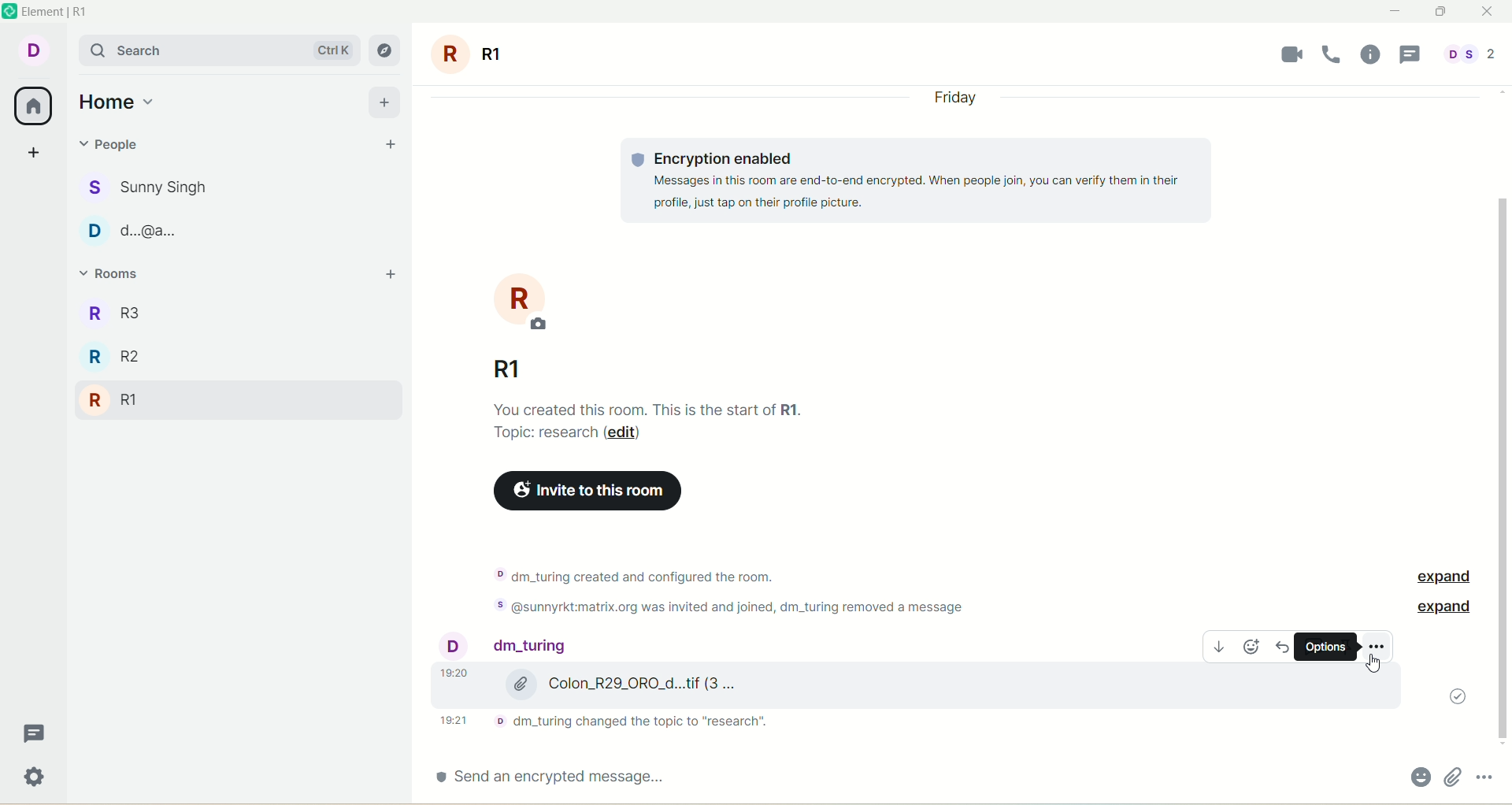  Describe the element at coordinates (119, 402) in the screenshot. I see `R1` at that location.